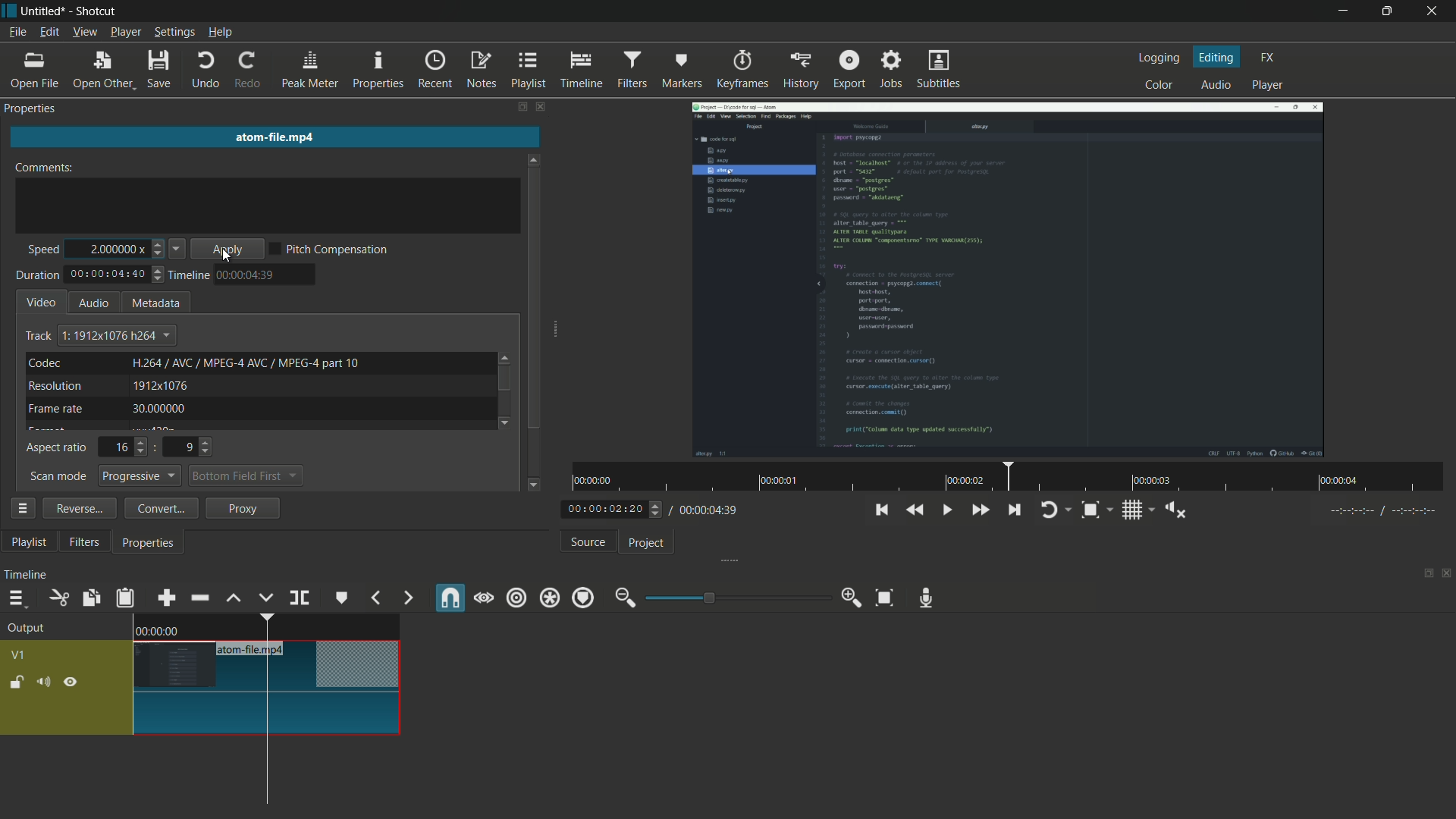 This screenshot has height=819, width=1456. I want to click on peak meter, so click(309, 71).